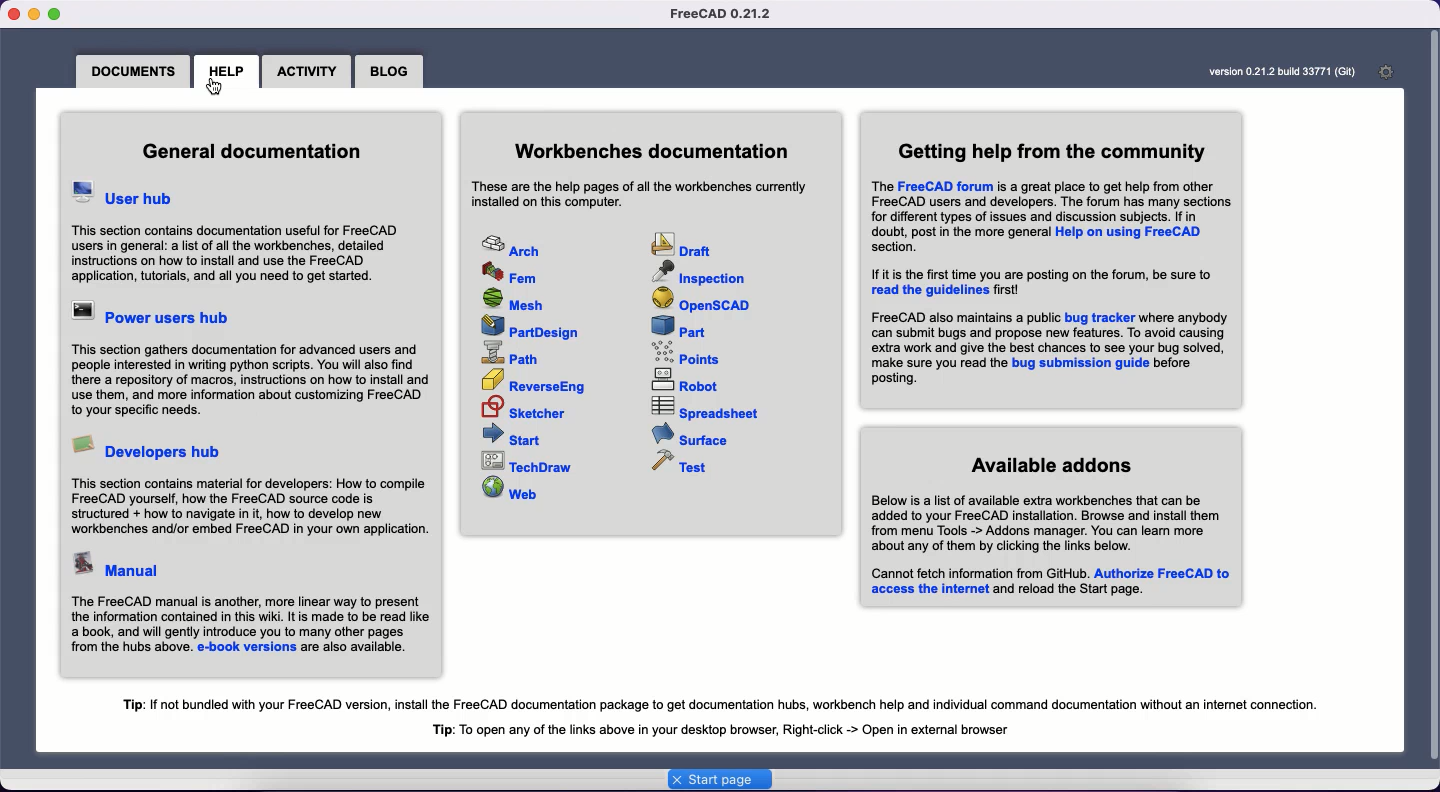  What do you see at coordinates (730, 703) in the screenshot?
I see `Tip` at bounding box center [730, 703].